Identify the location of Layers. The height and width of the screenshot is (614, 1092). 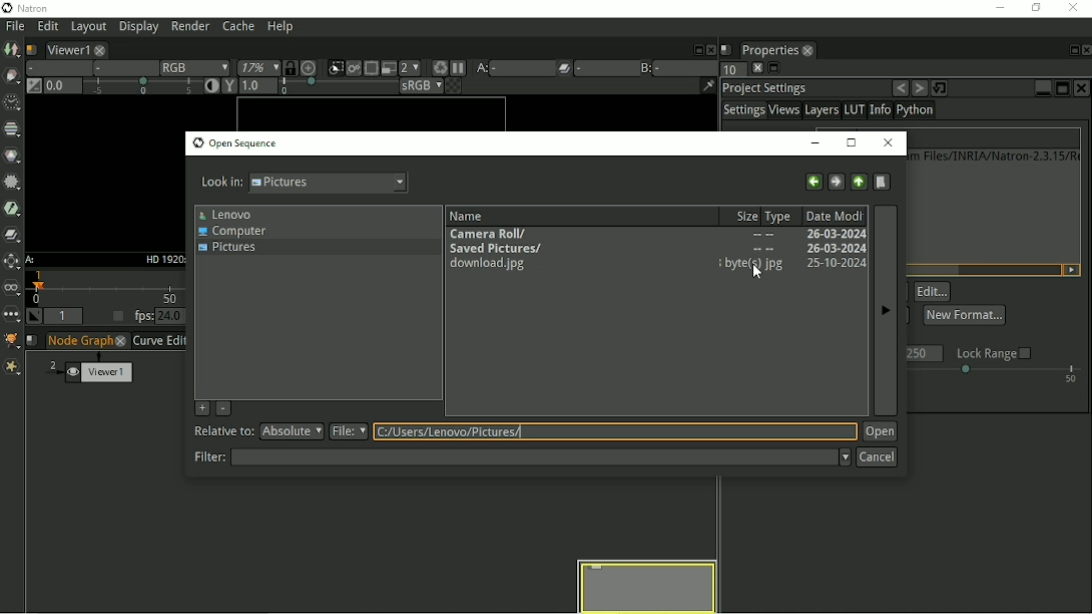
(821, 111).